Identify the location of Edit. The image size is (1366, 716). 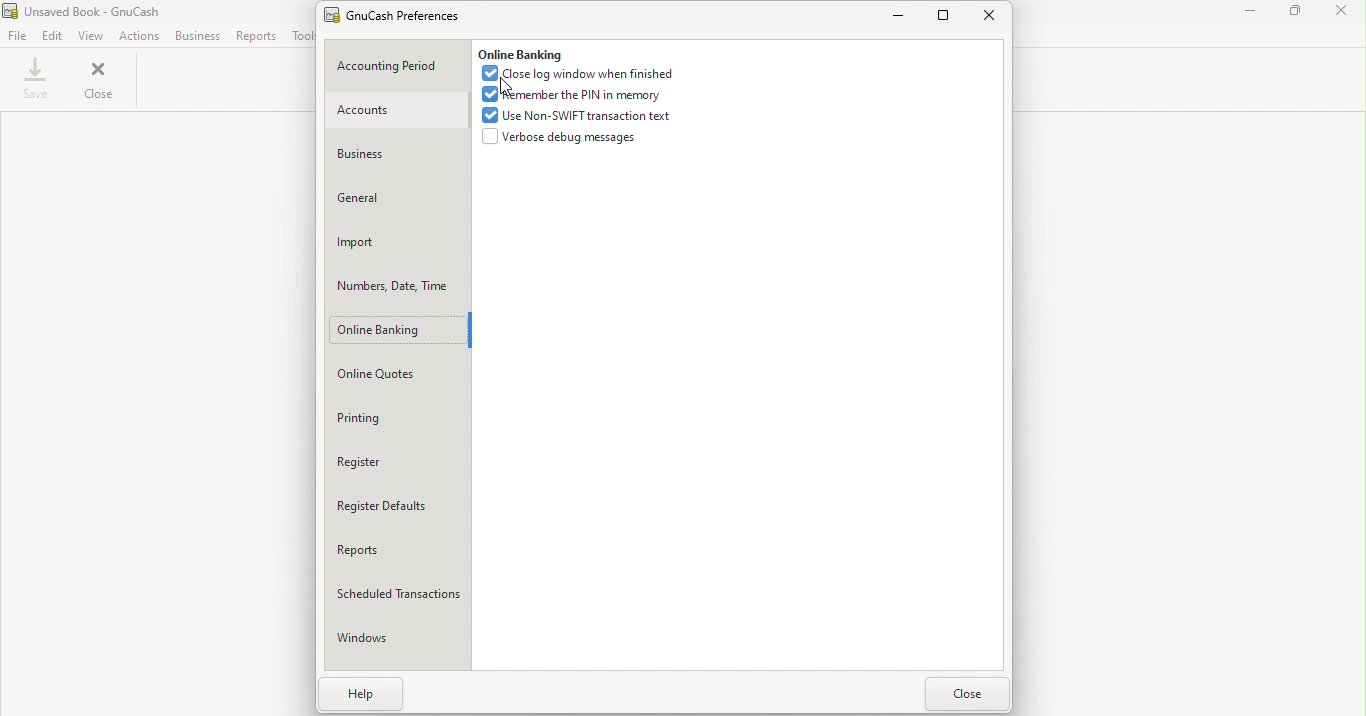
(52, 36).